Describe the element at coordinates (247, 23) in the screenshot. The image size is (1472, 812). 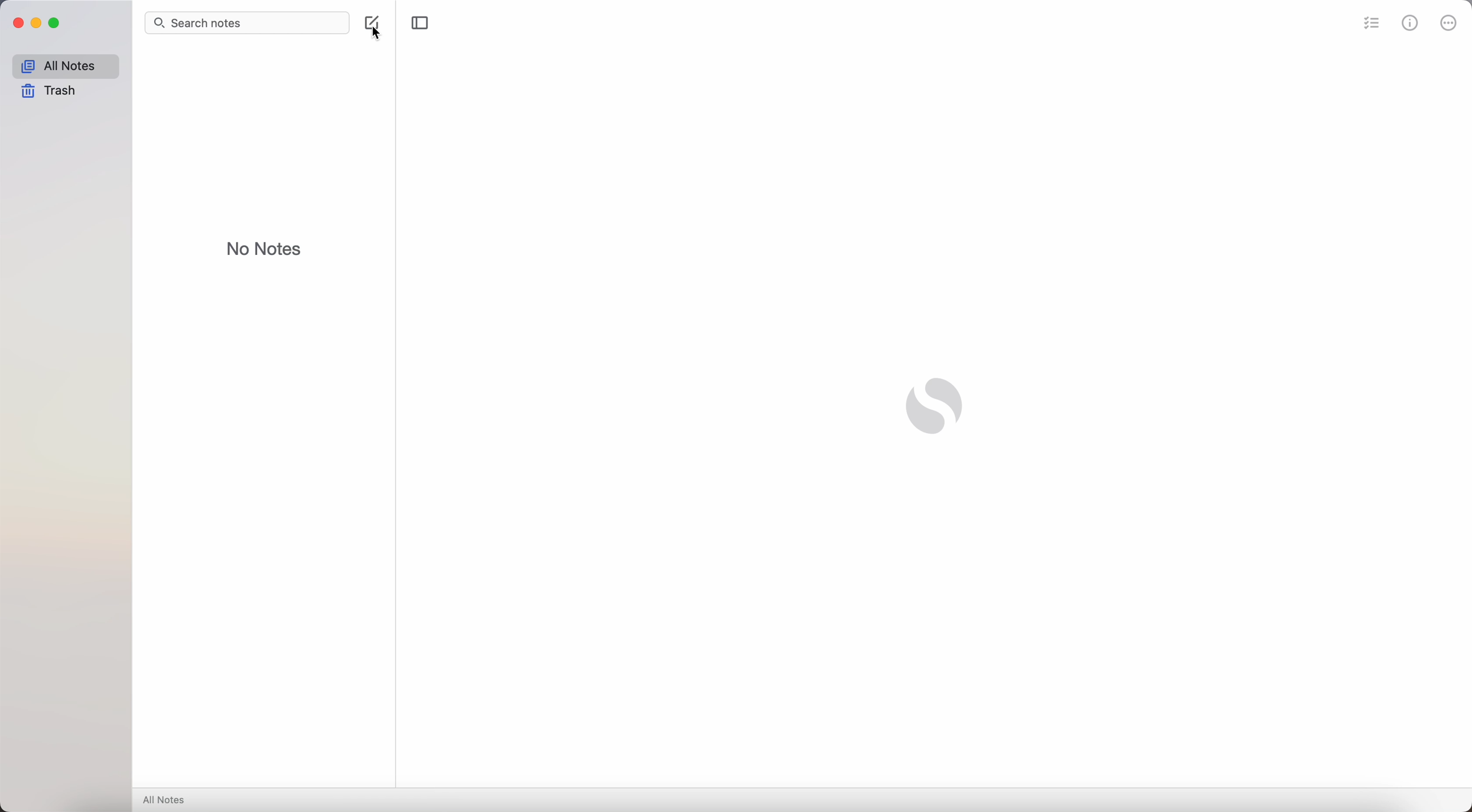
I see `search bar` at that location.